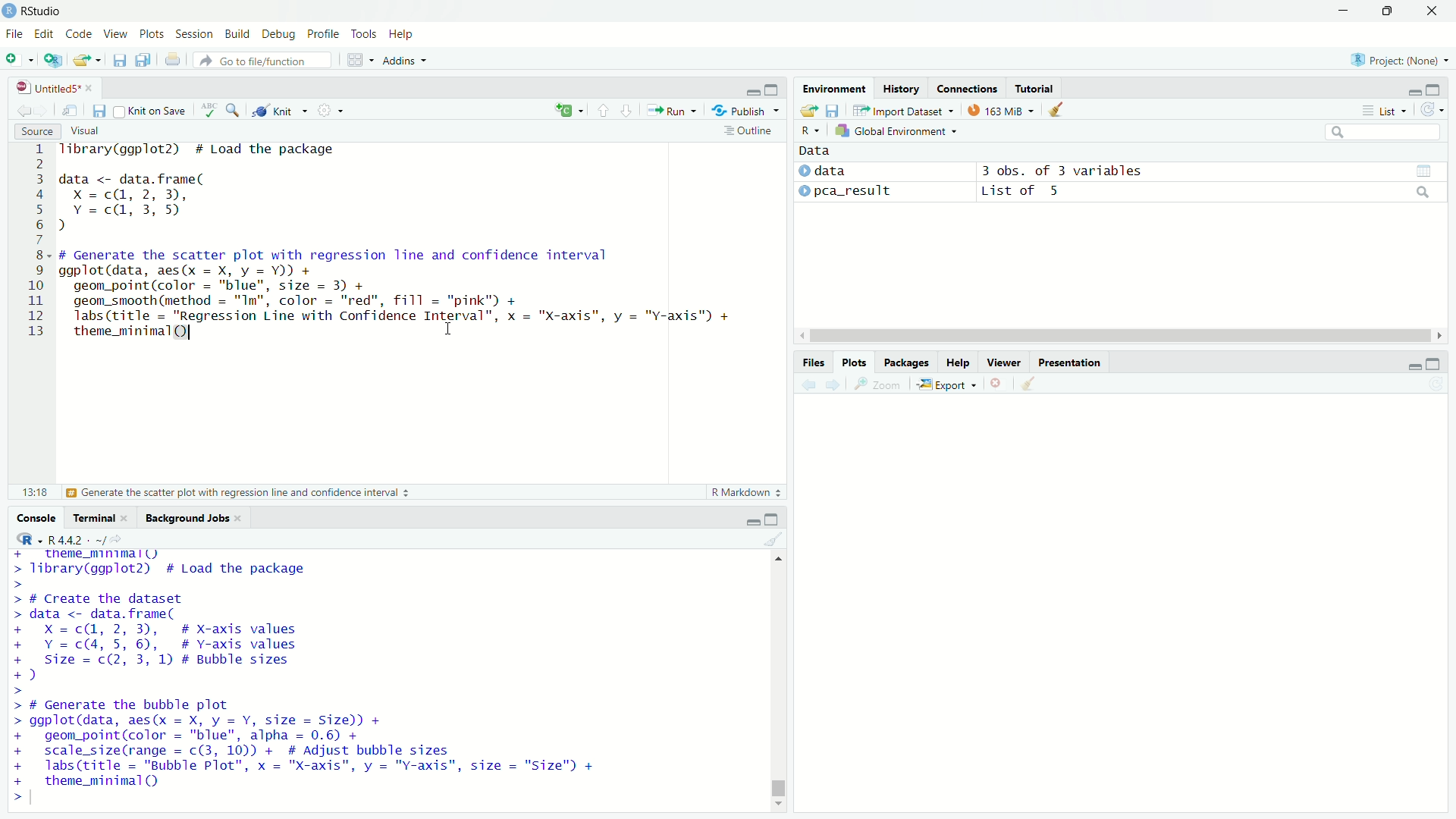 This screenshot has height=819, width=1456. I want to click on Edit, so click(44, 33).